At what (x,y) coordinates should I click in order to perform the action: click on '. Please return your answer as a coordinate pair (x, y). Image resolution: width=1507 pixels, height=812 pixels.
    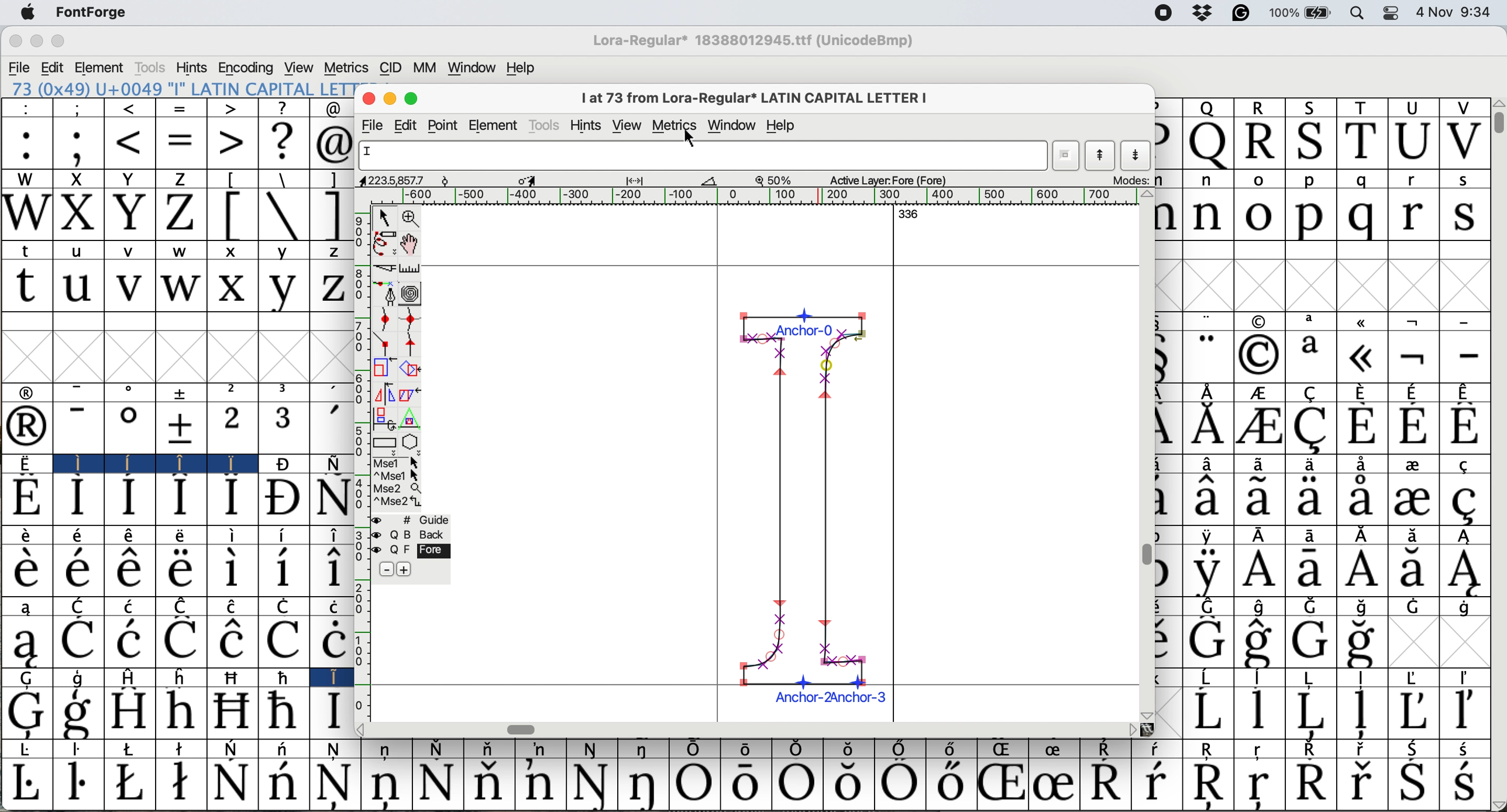
    Looking at the image, I should click on (332, 429).